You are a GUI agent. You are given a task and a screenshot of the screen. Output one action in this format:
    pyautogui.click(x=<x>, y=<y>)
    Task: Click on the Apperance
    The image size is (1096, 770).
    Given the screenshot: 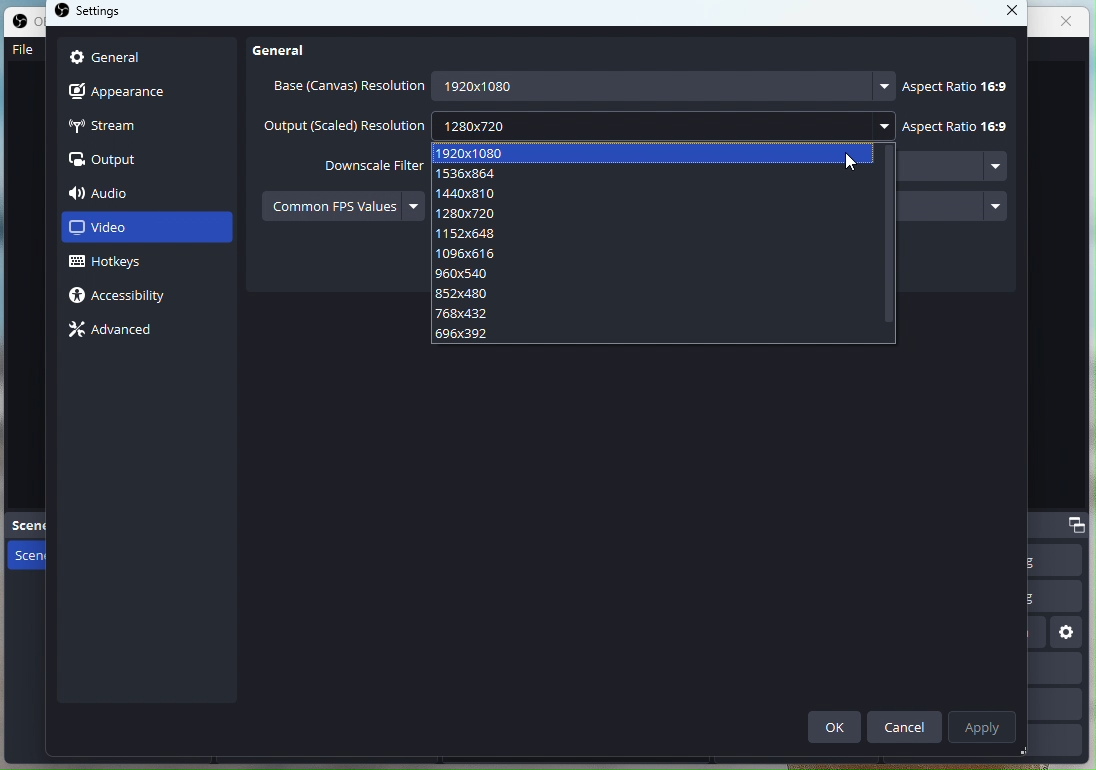 What is the action you would take?
    pyautogui.click(x=148, y=92)
    